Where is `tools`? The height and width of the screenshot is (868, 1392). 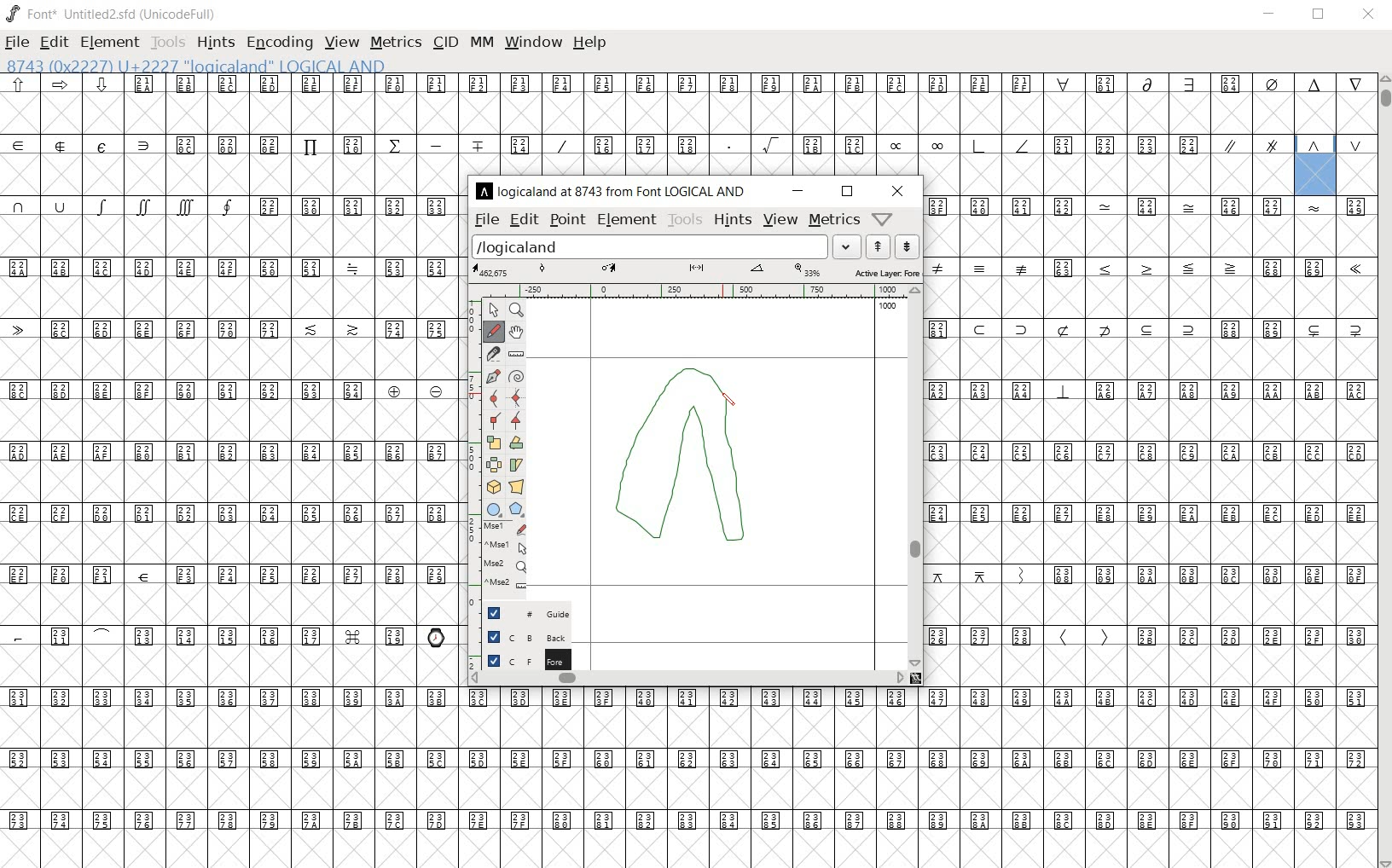
tools is located at coordinates (169, 42).